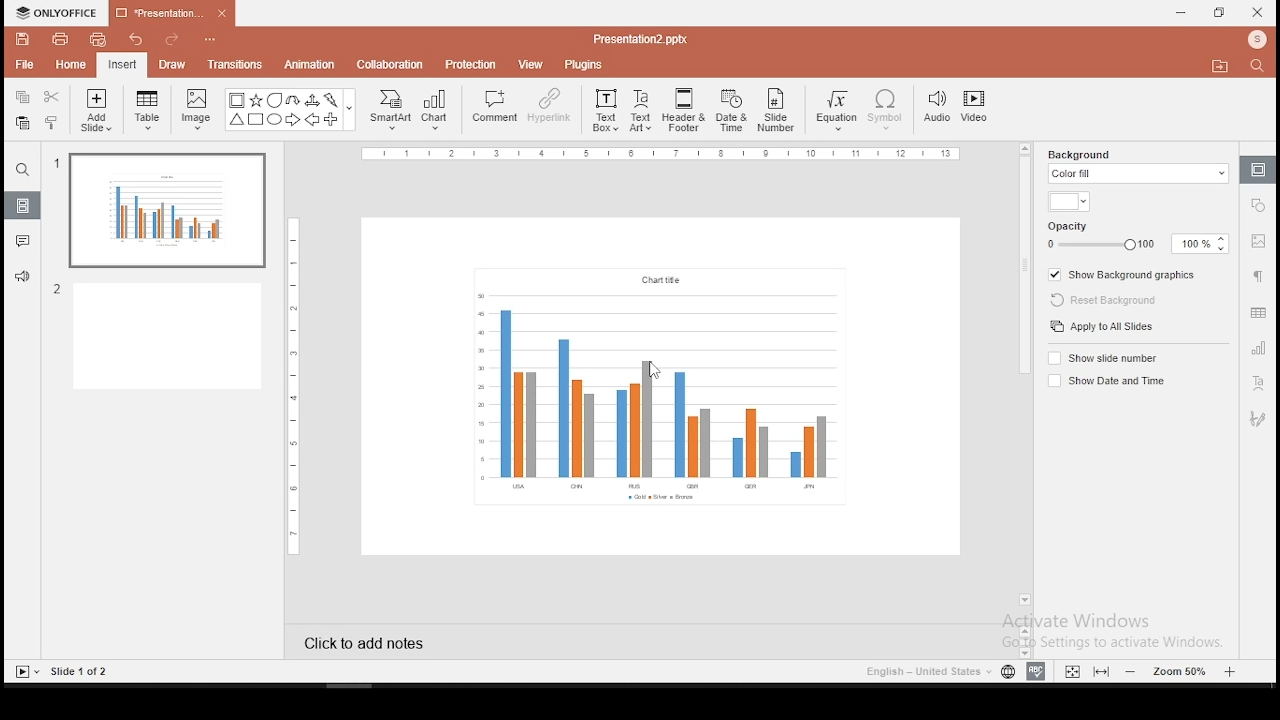 Image resolution: width=1280 pixels, height=720 pixels. What do you see at coordinates (643, 109) in the screenshot?
I see `text art` at bounding box center [643, 109].